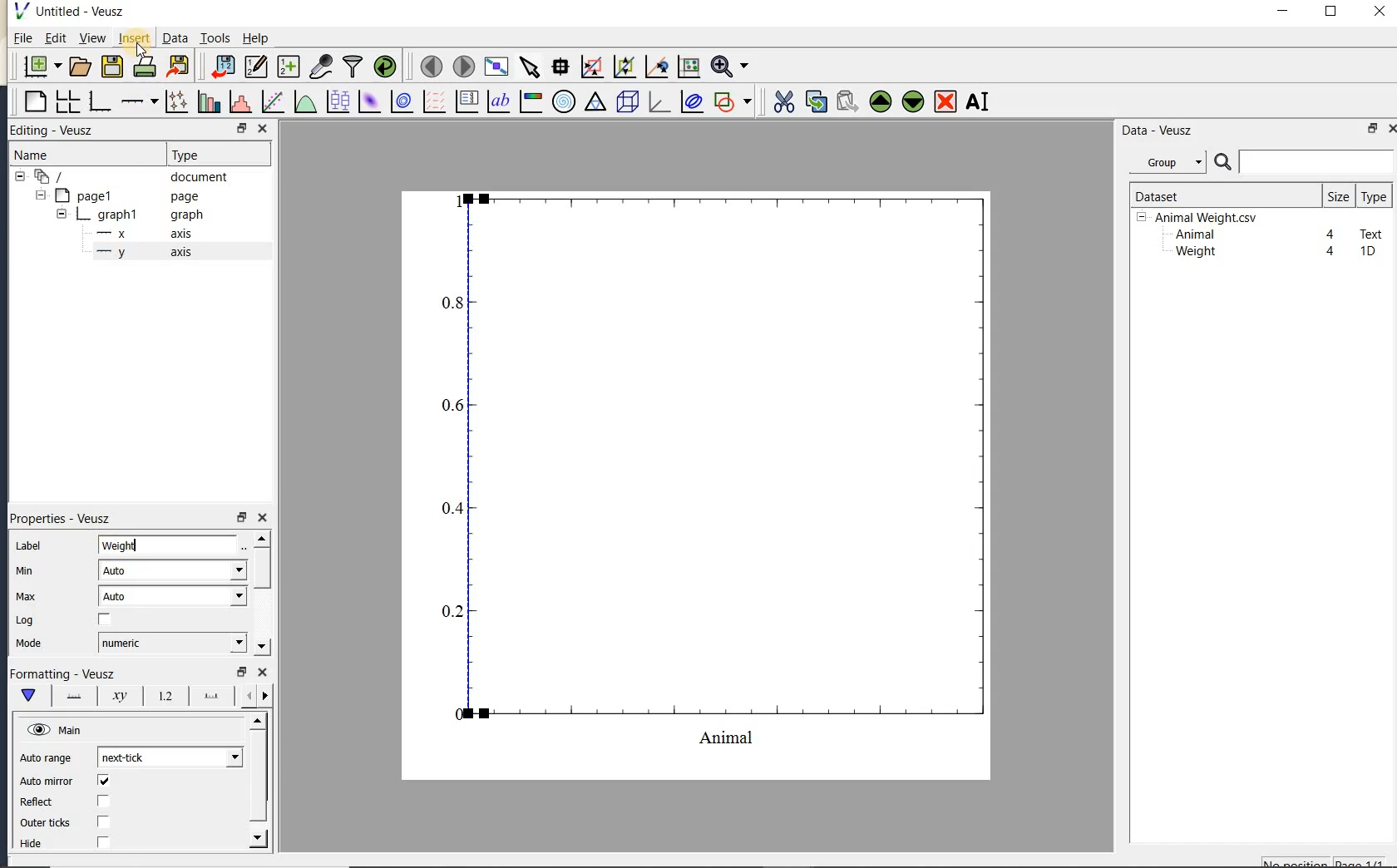  Describe the element at coordinates (657, 101) in the screenshot. I see `3d graph` at that location.